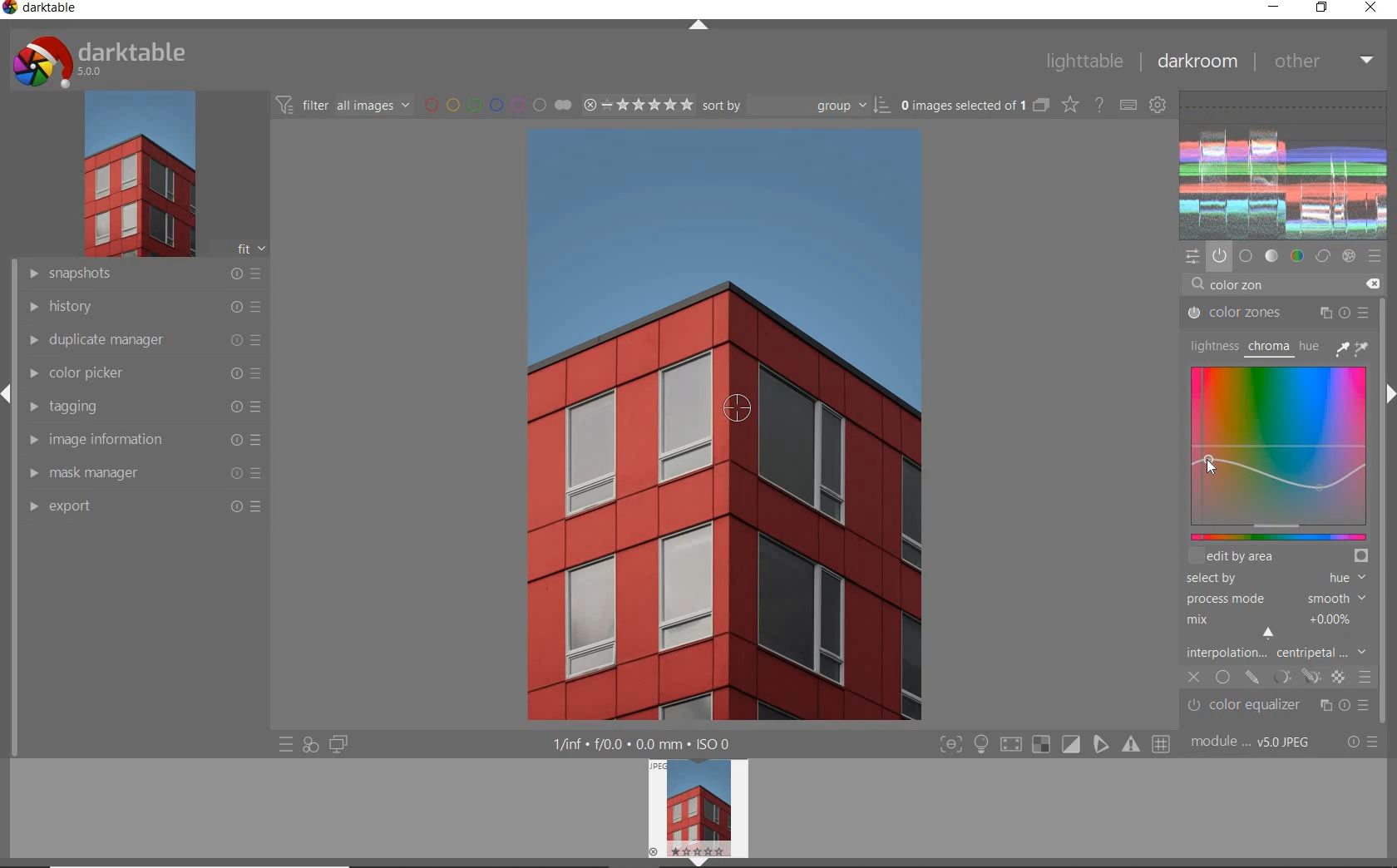 This screenshot has height=868, width=1397. Describe the element at coordinates (311, 744) in the screenshot. I see `quick access for applying any of your styles` at that location.